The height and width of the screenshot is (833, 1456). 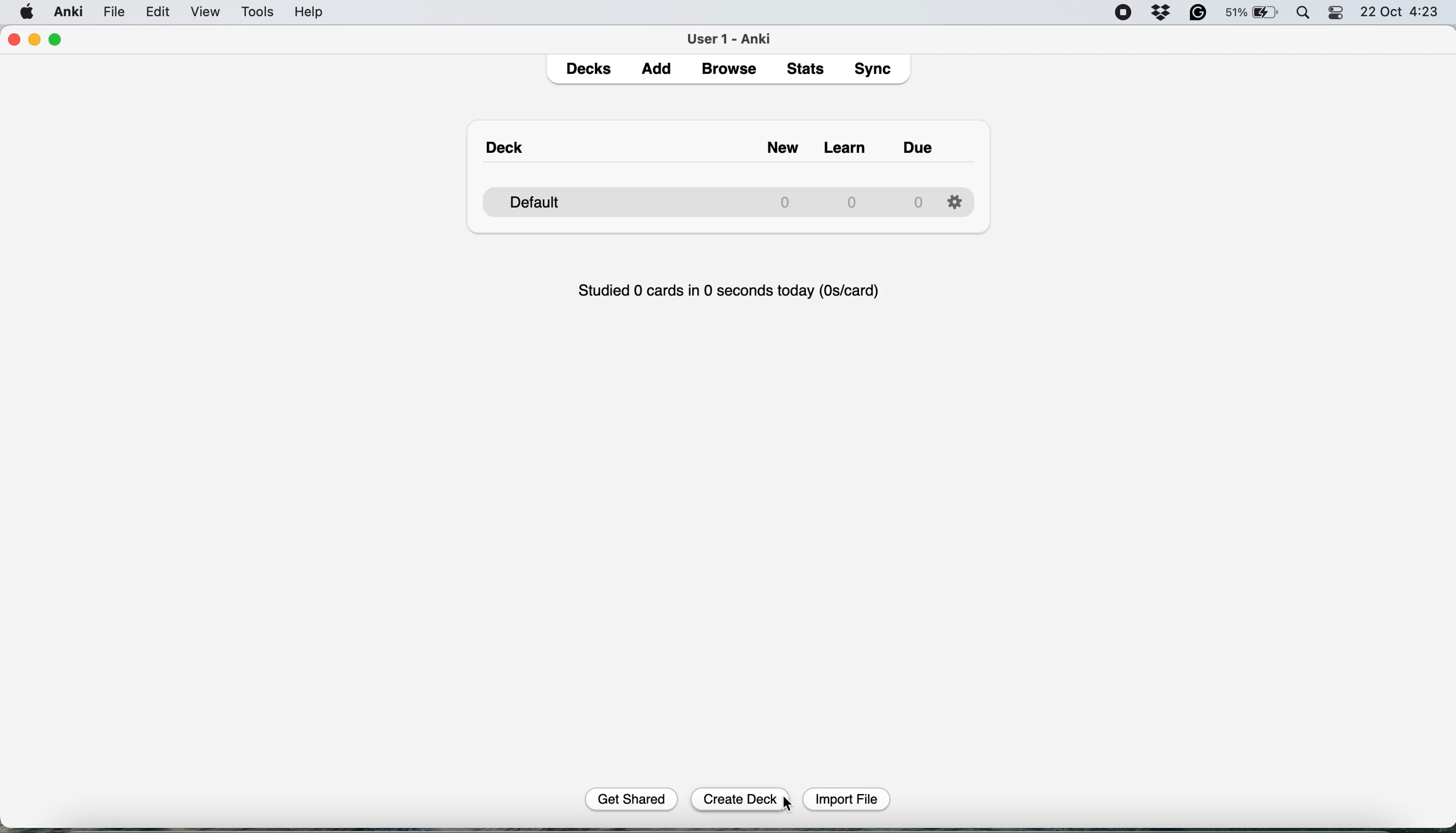 What do you see at coordinates (1251, 14) in the screenshot?
I see `battery - 51%` at bounding box center [1251, 14].